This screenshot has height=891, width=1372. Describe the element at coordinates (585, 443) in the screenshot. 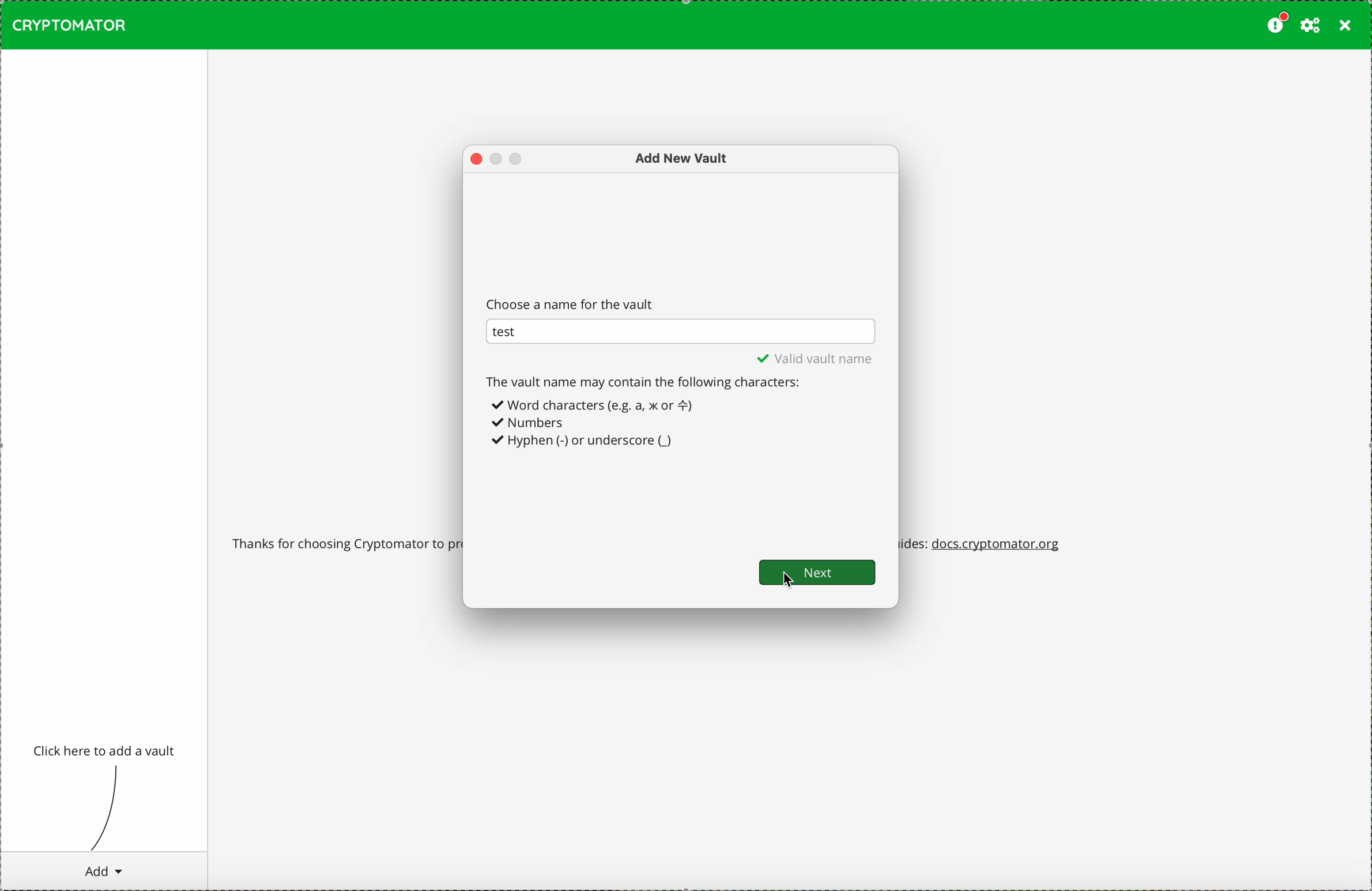

I see `Hyphrn (-) or underscore (_)` at that location.